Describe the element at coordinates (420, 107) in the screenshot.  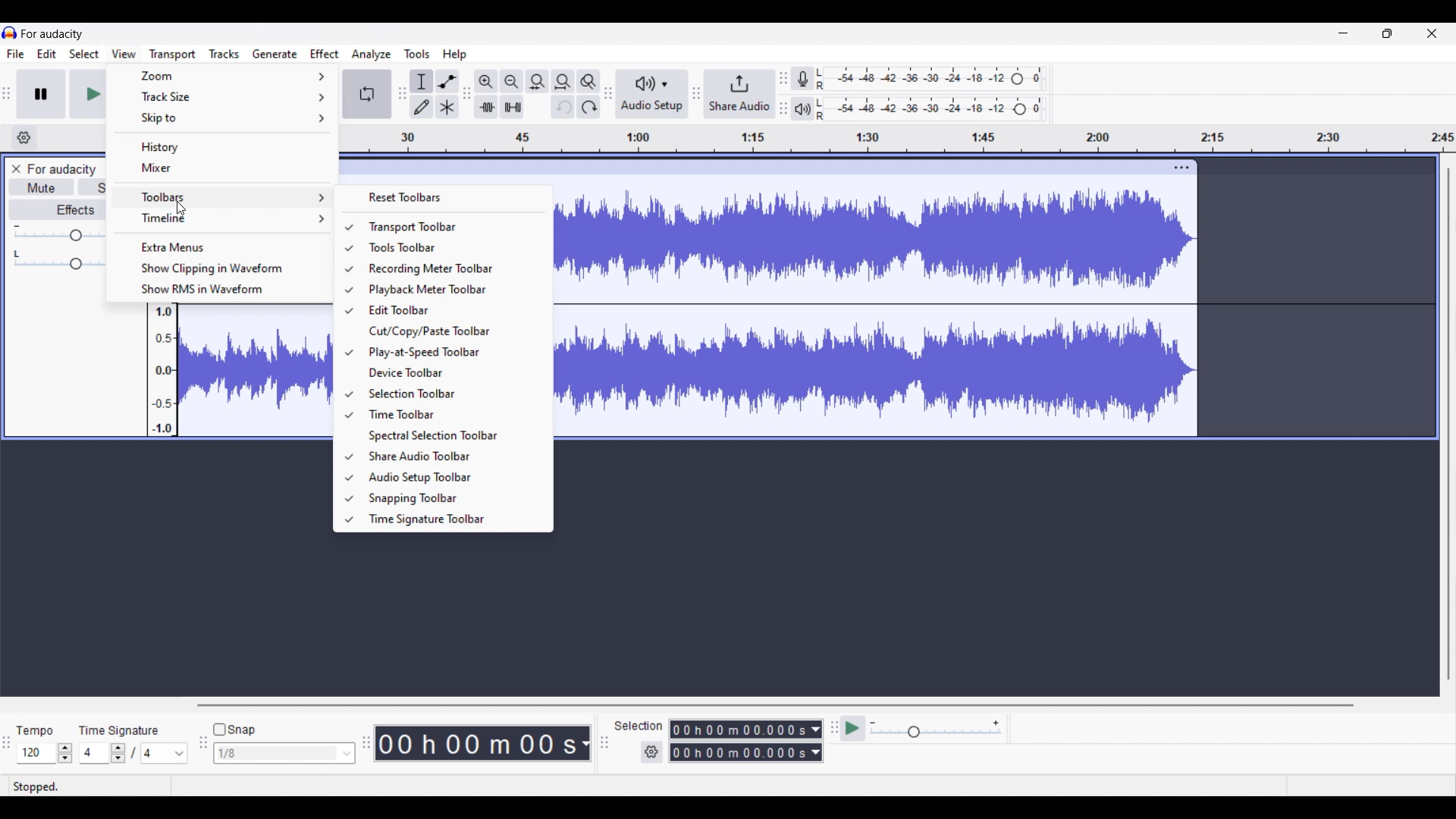
I see `Draw tool` at that location.